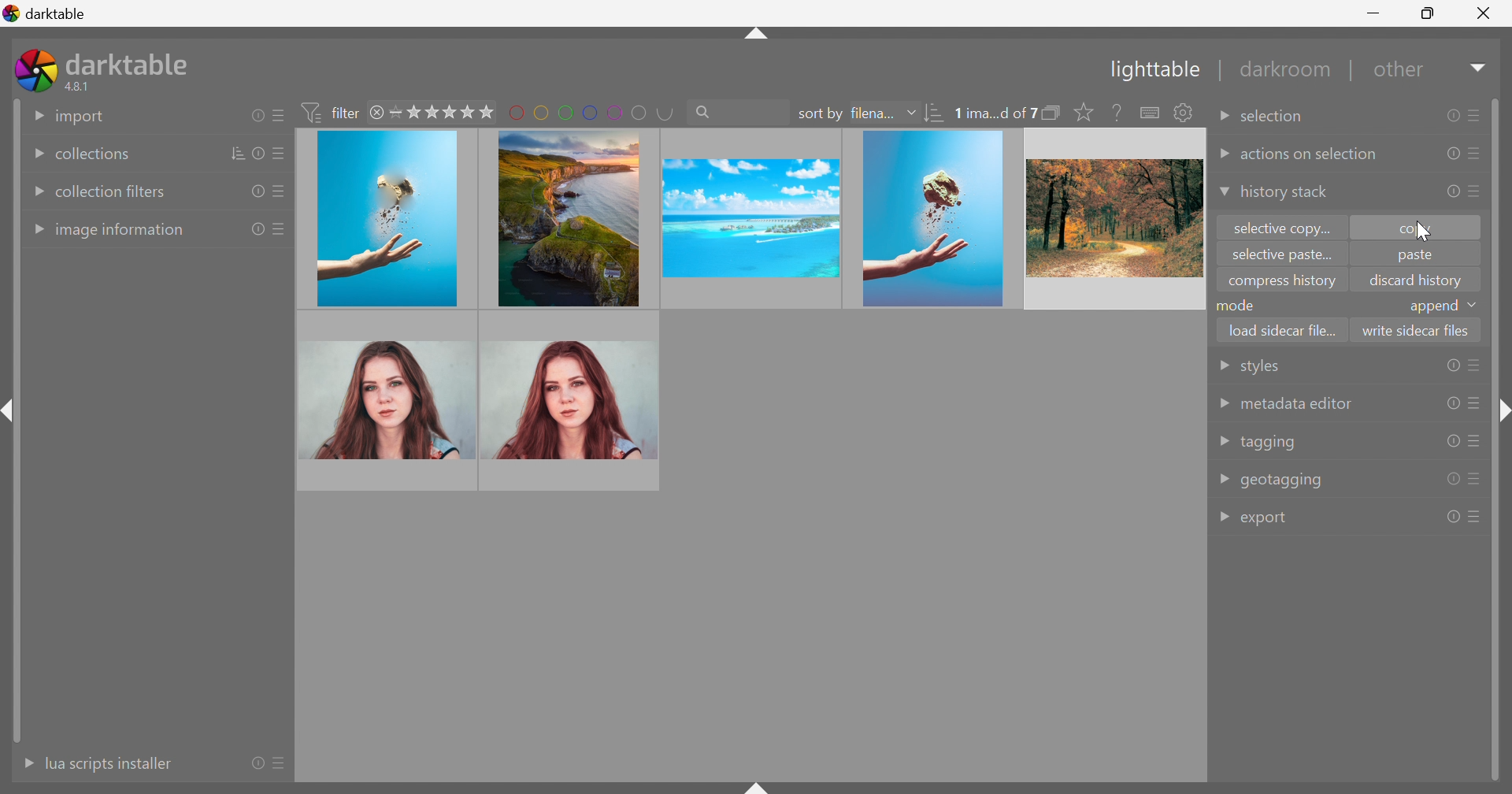 The image size is (1512, 794). What do you see at coordinates (1240, 305) in the screenshot?
I see `mode` at bounding box center [1240, 305].